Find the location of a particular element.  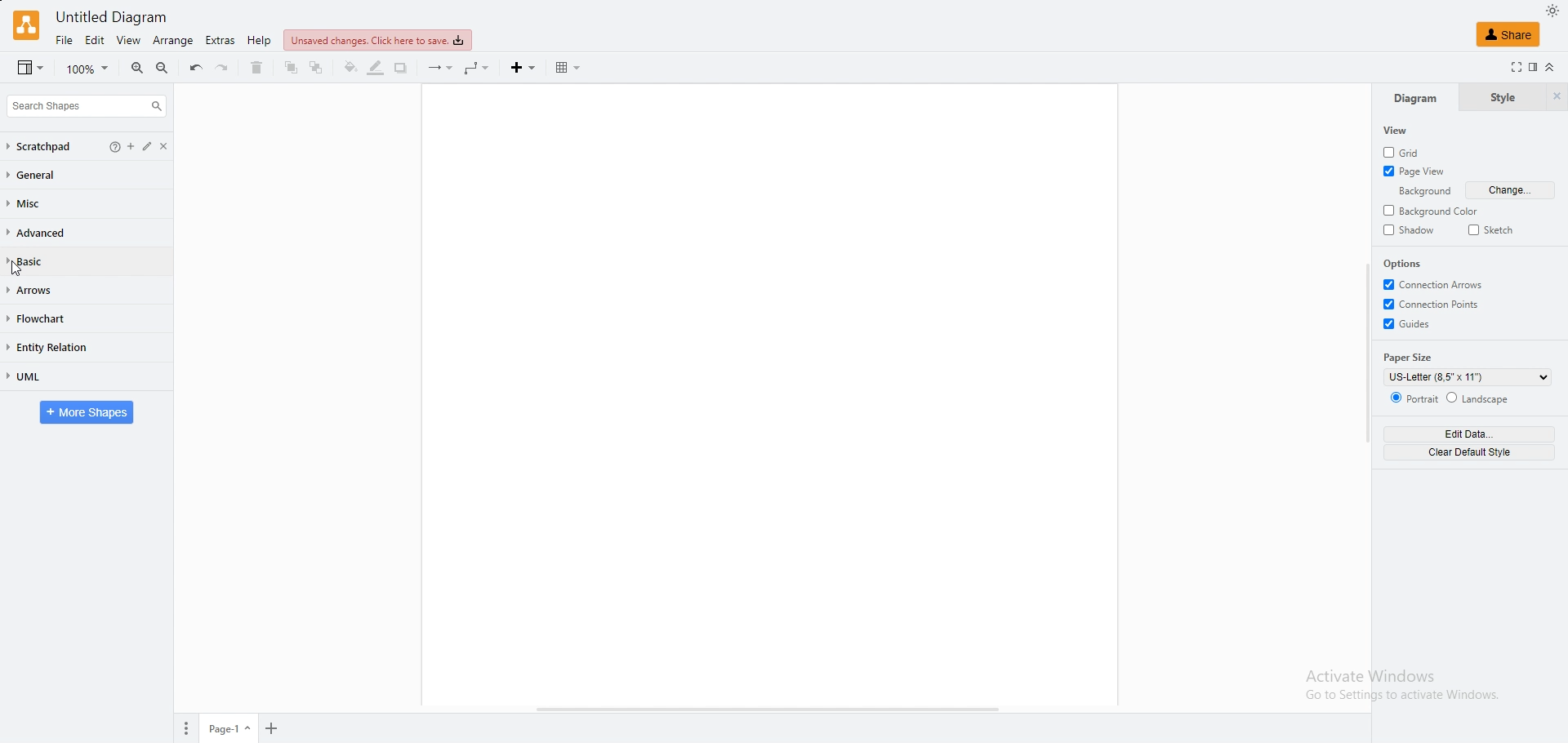

background color is located at coordinates (1435, 211).